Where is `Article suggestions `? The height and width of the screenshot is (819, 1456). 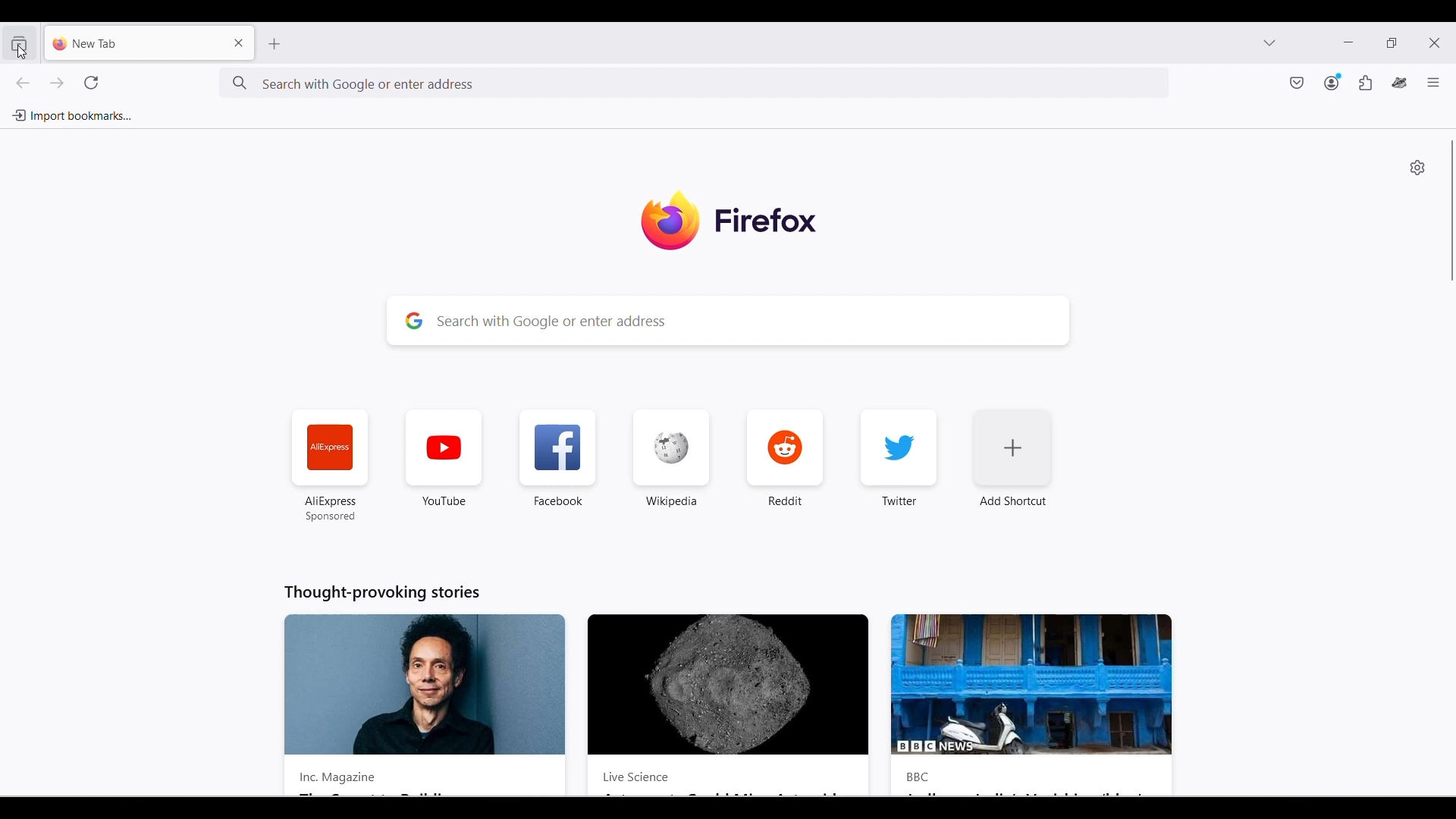
Article suggestions  is located at coordinates (726, 689).